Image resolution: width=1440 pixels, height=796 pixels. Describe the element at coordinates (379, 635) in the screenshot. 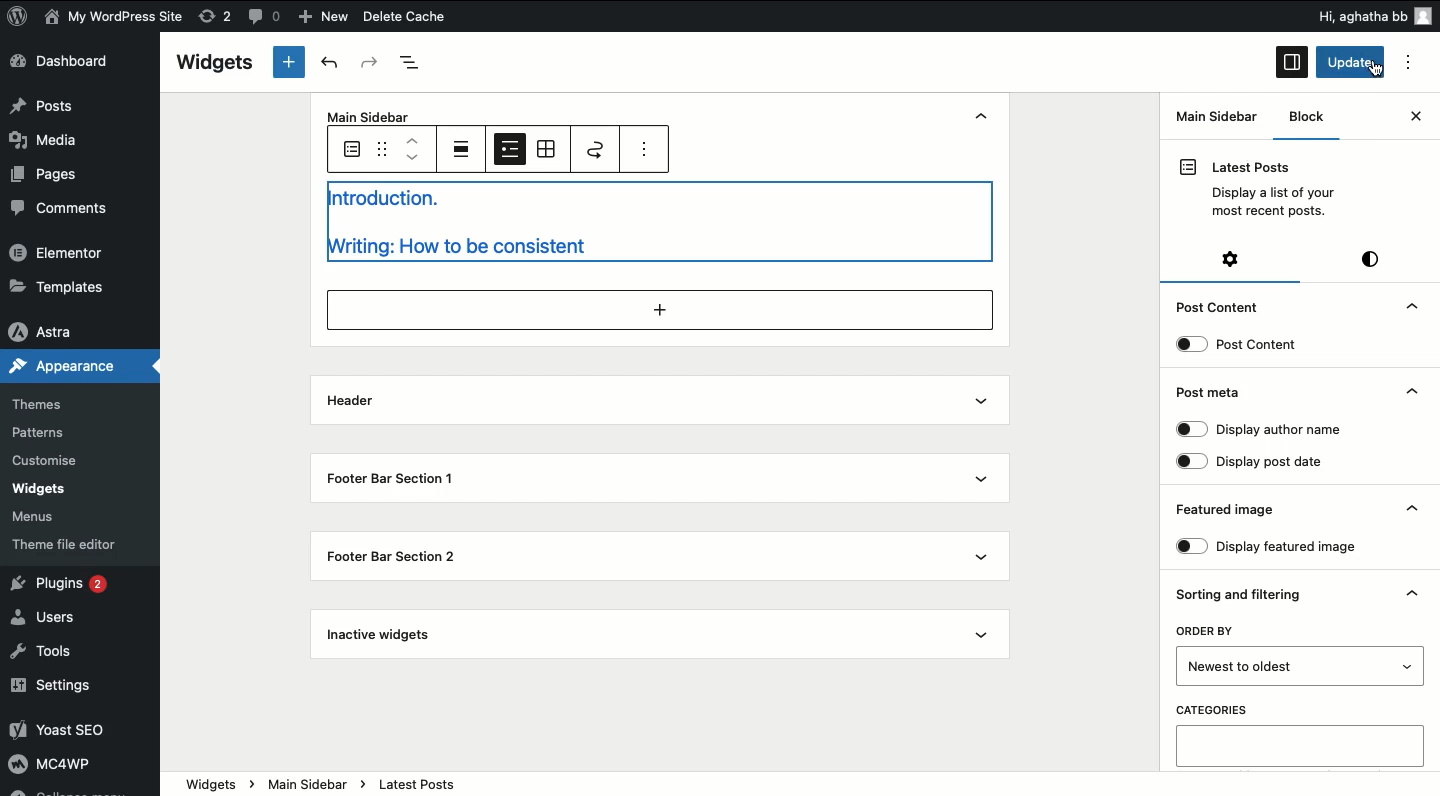

I see `Inactive widgets` at that location.